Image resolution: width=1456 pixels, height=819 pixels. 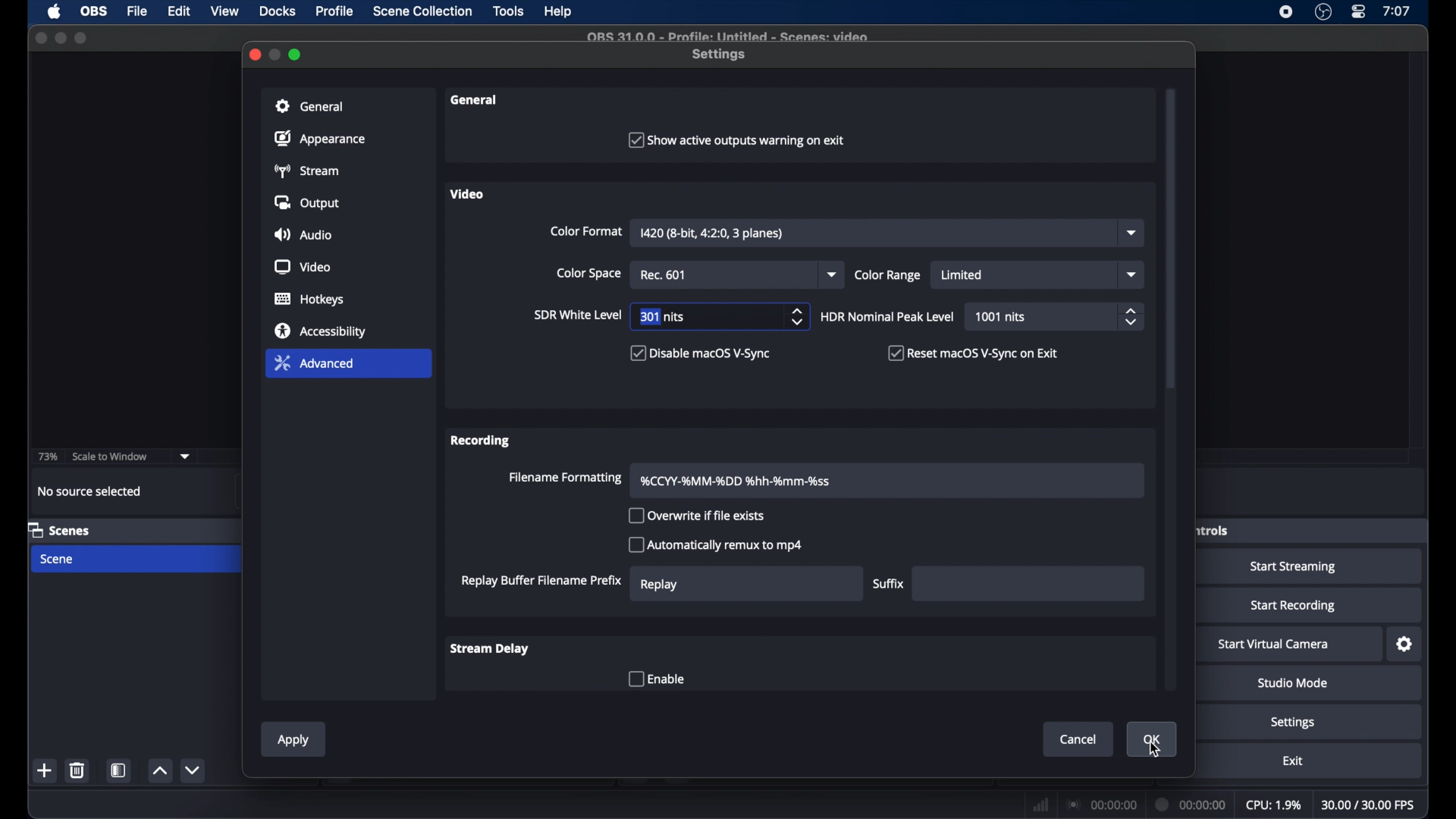 I want to click on scene, so click(x=58, y=560).